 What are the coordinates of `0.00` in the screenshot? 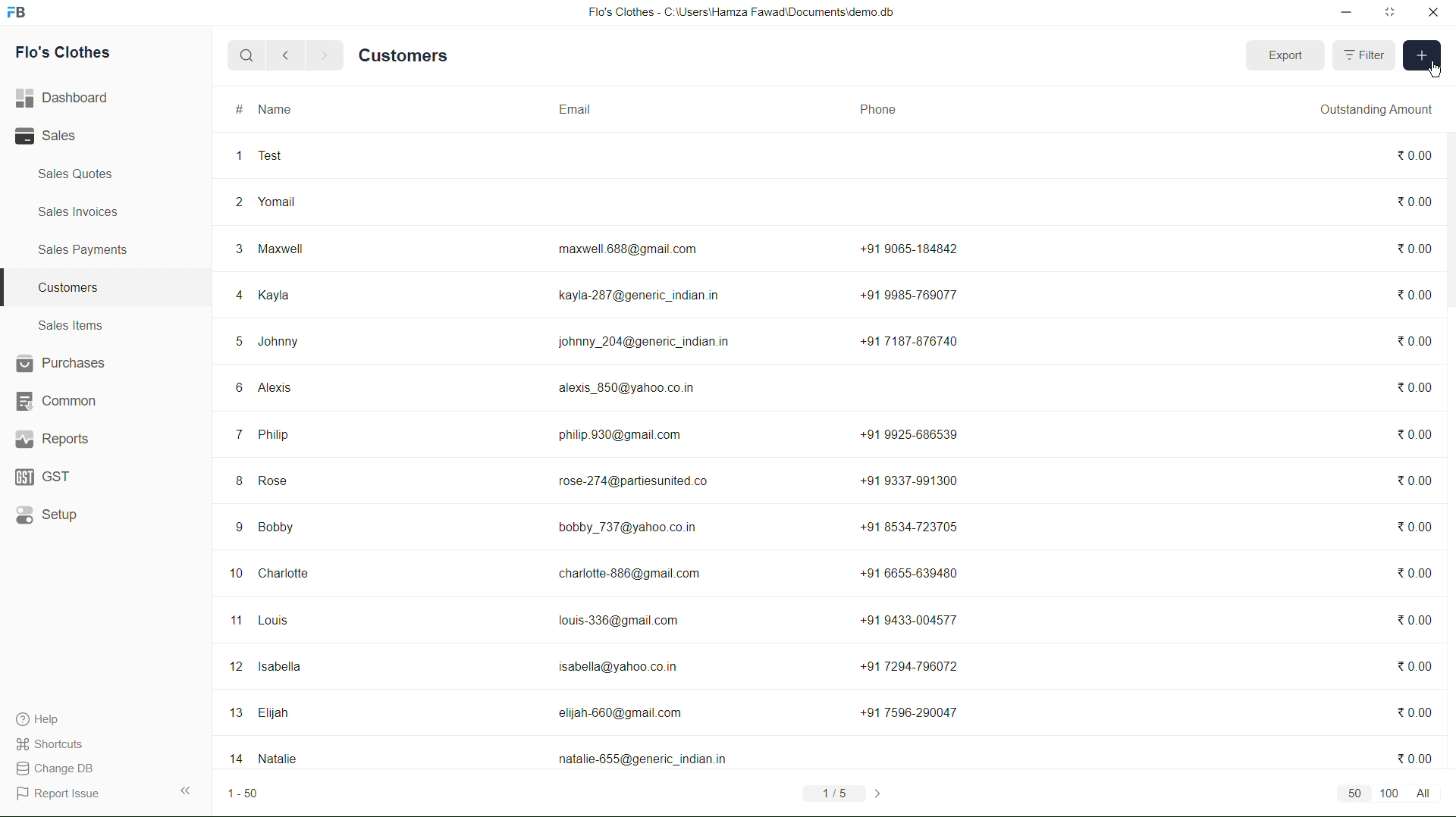 It's located at (1414, 481).